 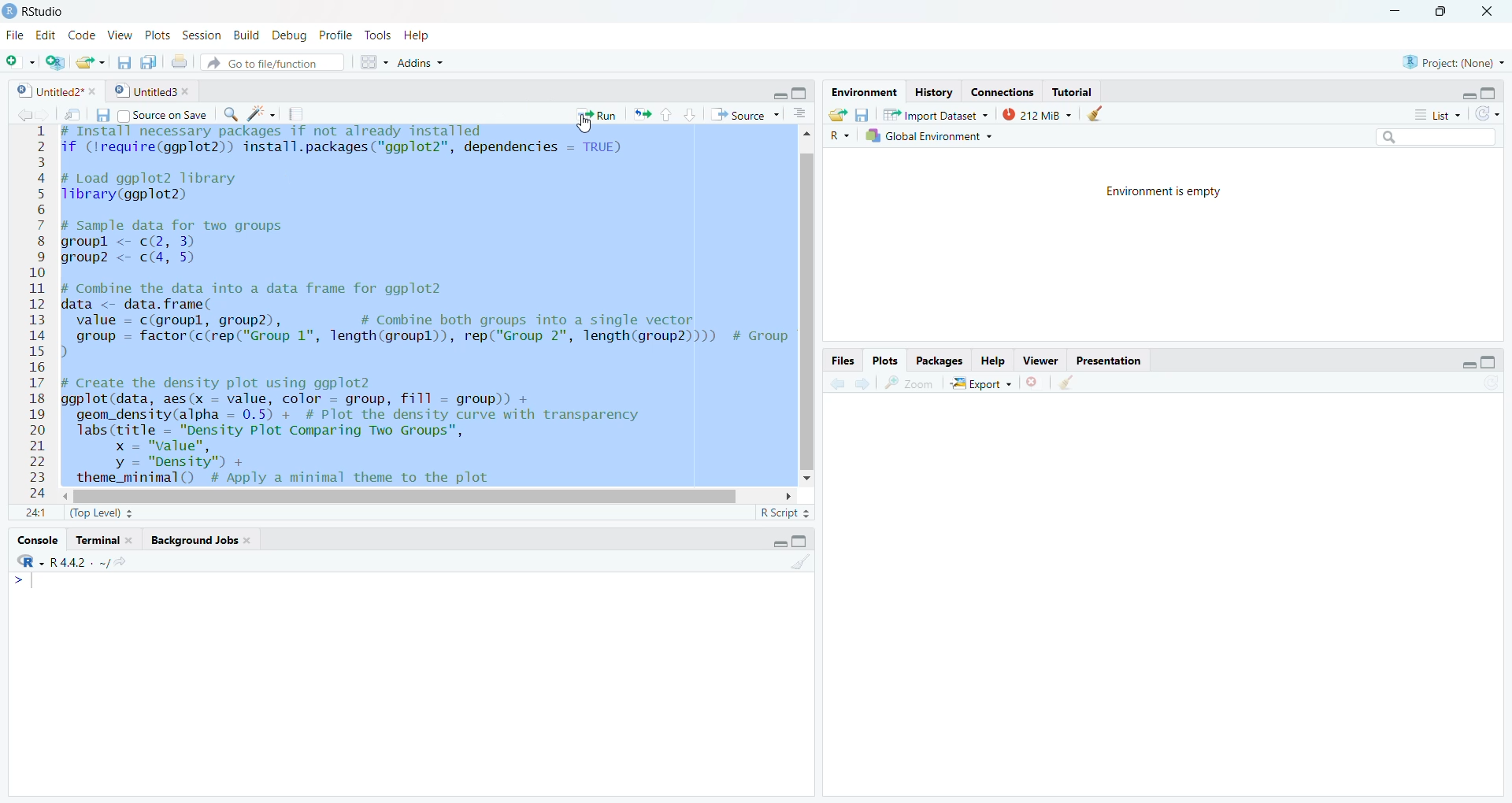 I want to click on go to previous section, so click(x=668, y=113).